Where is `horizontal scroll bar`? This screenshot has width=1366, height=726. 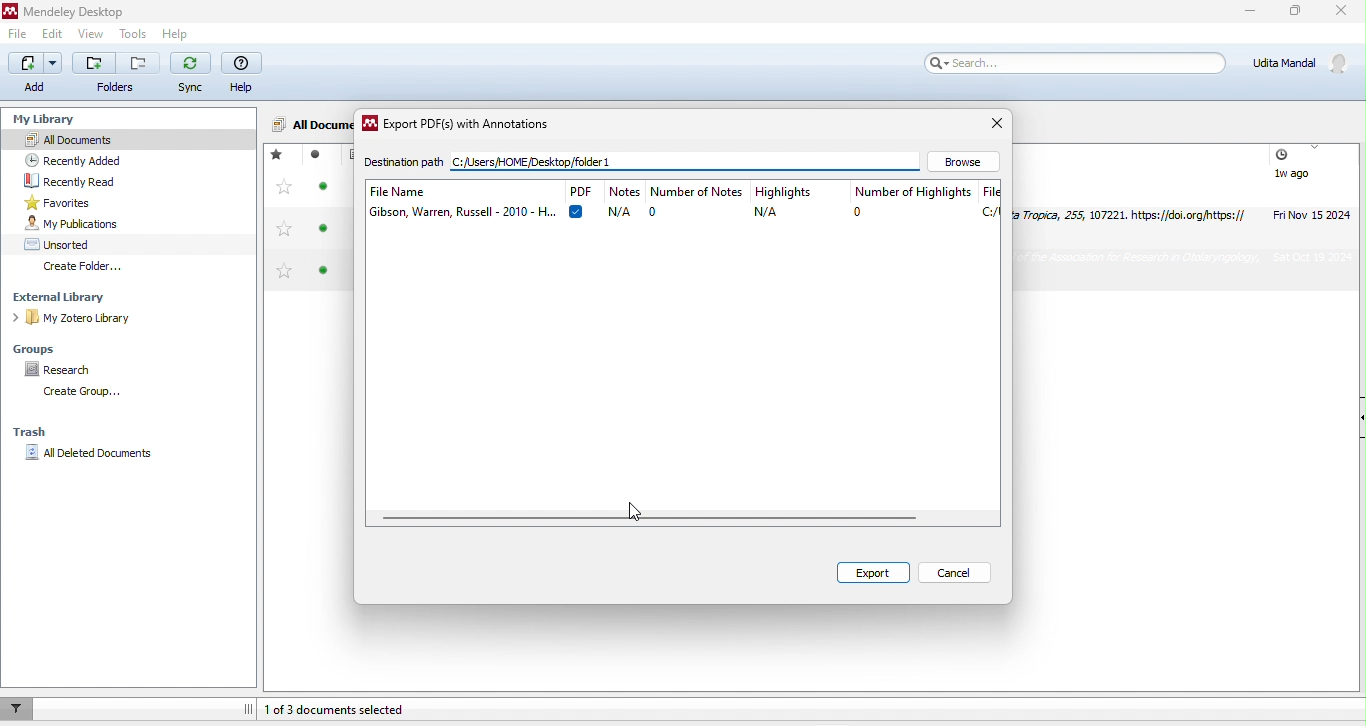 horizontal scroll bar is located at coordinates (653, 519).